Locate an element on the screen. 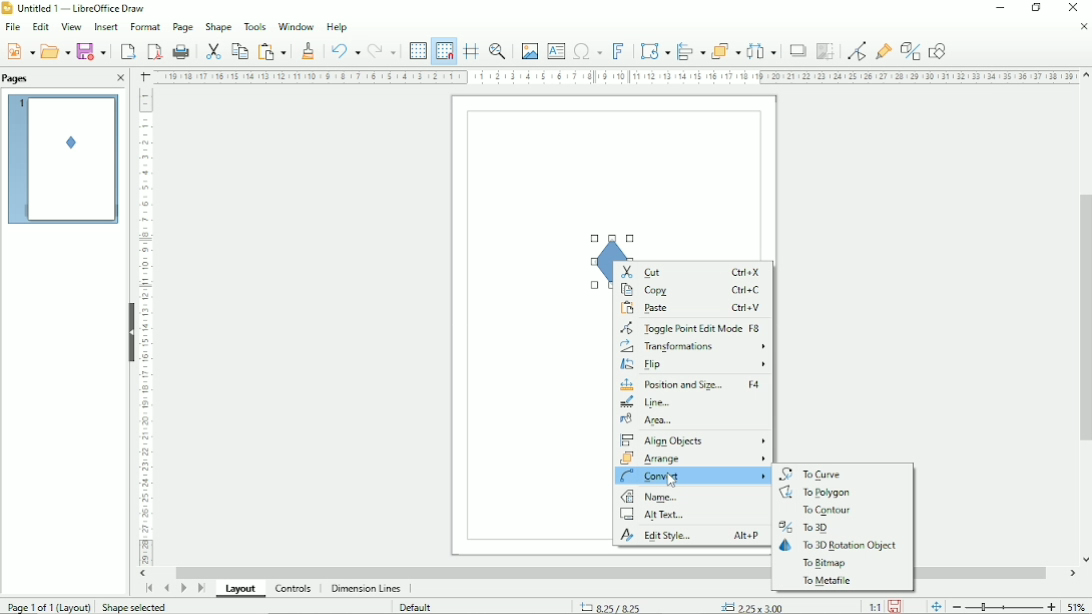 This screenshot has width=1092, height=614. Minimize is located at coordinates (1000, 9).